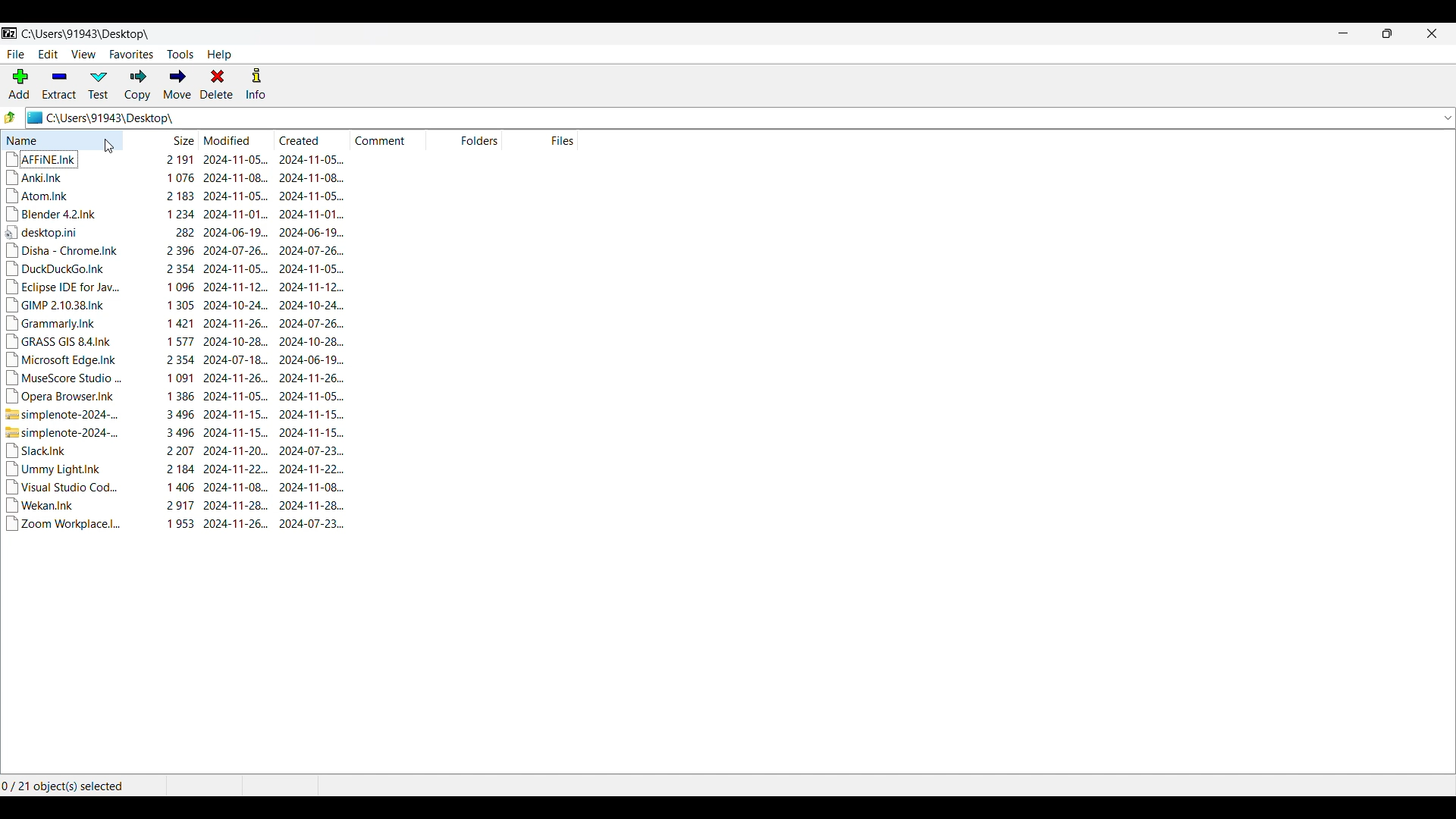  I want to click on Wekan.Ink 2917 2024-11-28... 2024-11-28., so click(174, 505).